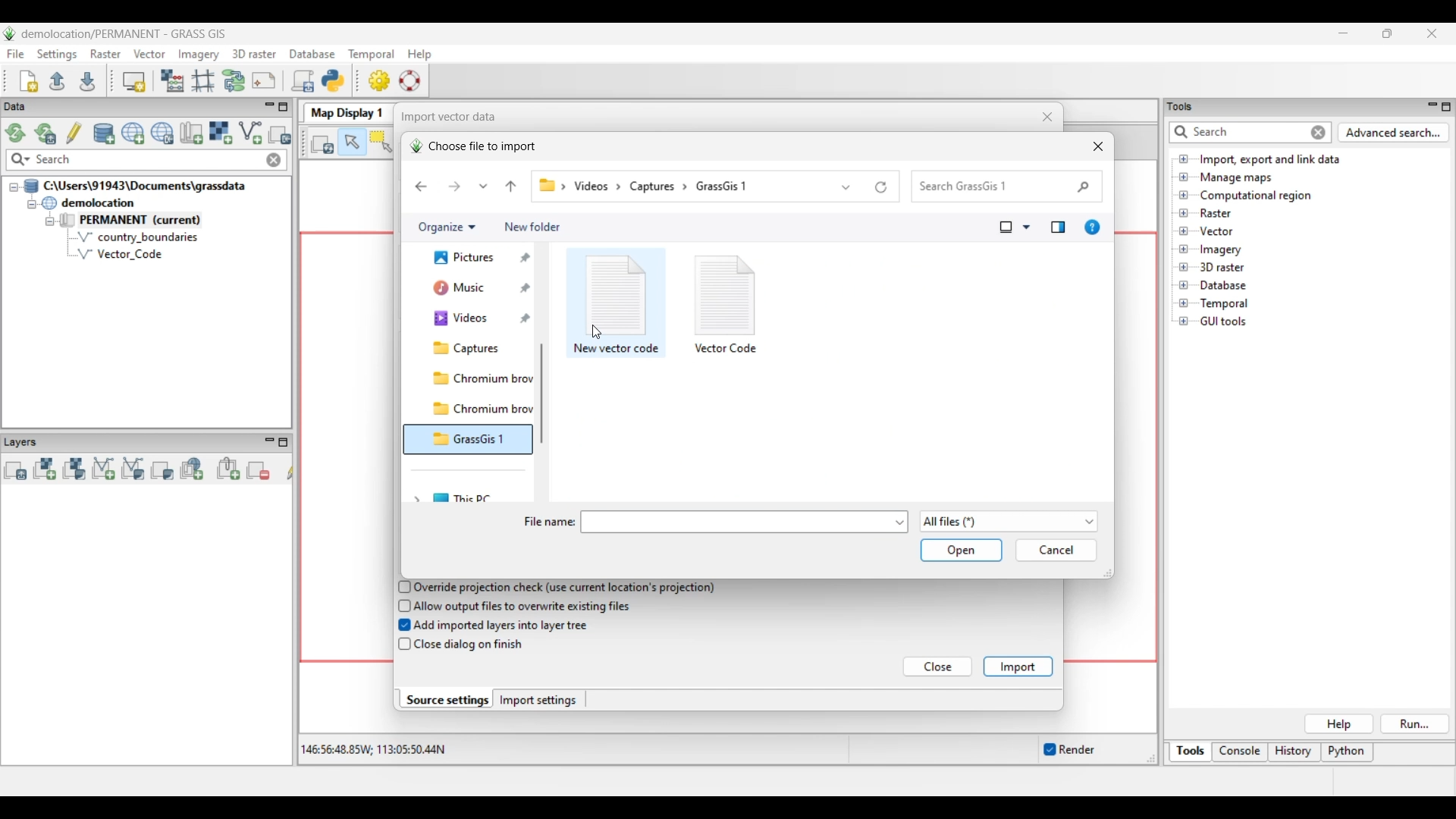  What do you see at coordinates (1184, 212) in the screenshot?
I see `Click to open files under Raster` at bounding box center [1184, 212].